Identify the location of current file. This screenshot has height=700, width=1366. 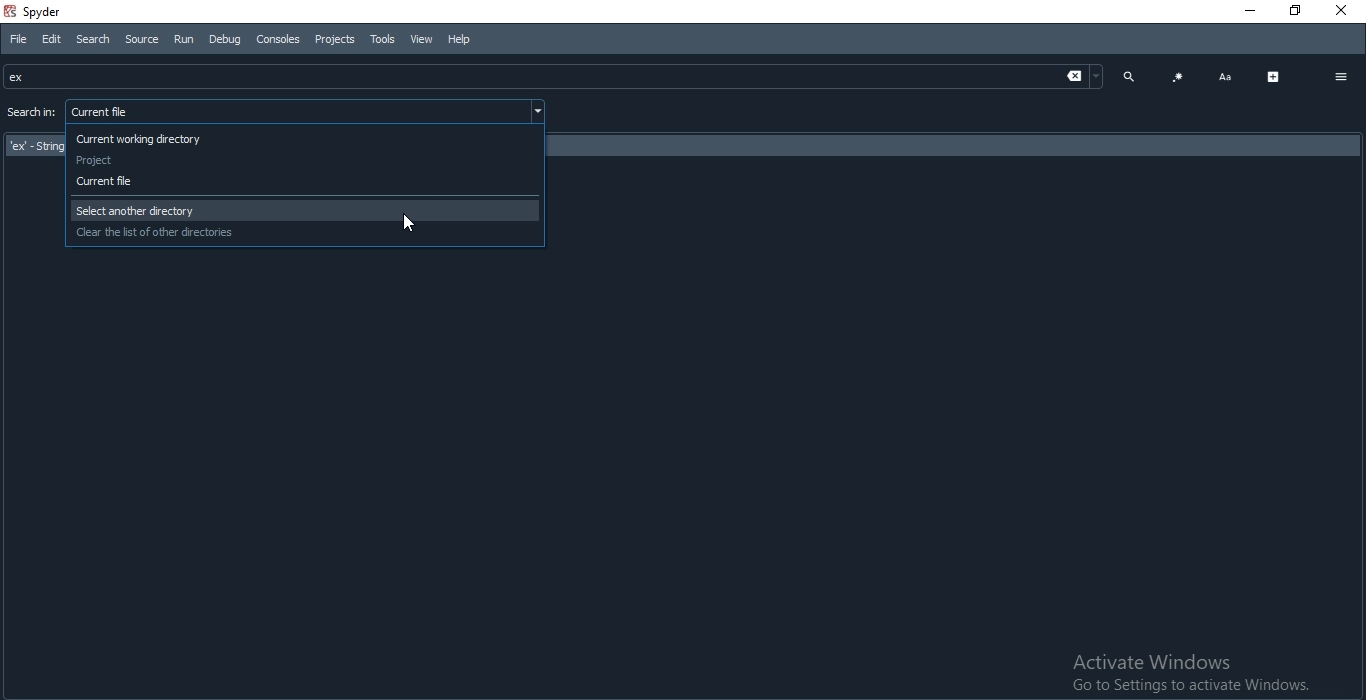
(307, 183).